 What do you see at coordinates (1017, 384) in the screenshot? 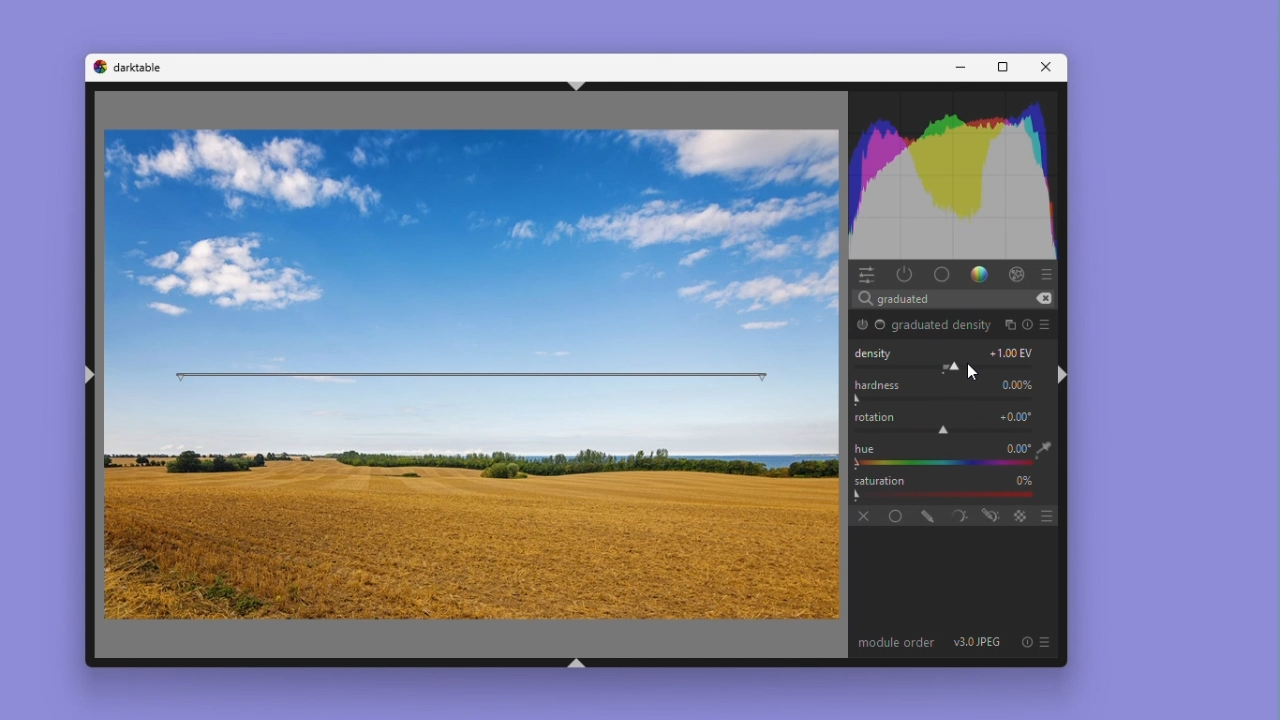
I see `0.00%` at bounding box center [1017, 384].